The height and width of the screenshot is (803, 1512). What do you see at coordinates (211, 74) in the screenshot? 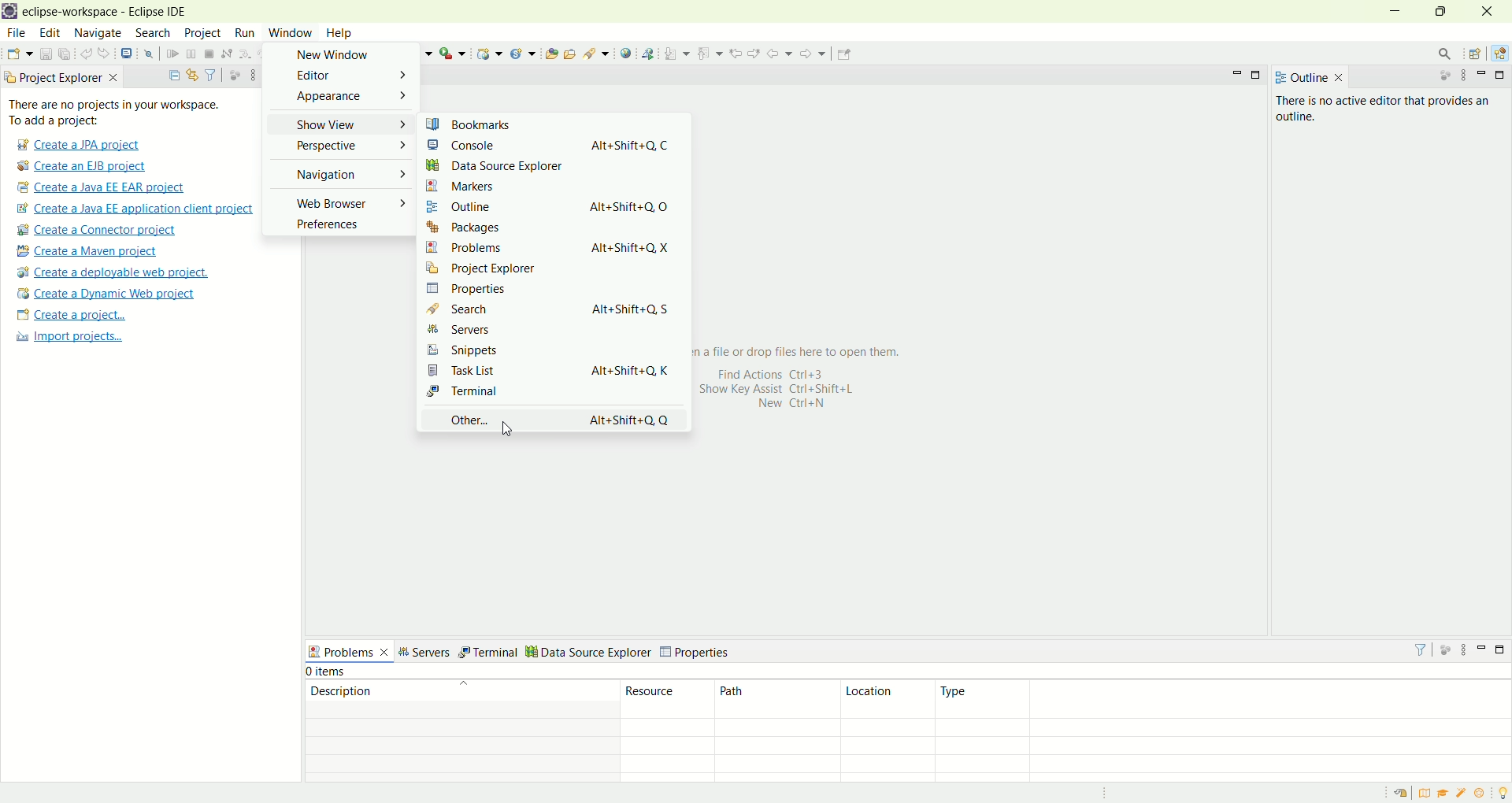
I see `filter` at bounding box center [211, 74].